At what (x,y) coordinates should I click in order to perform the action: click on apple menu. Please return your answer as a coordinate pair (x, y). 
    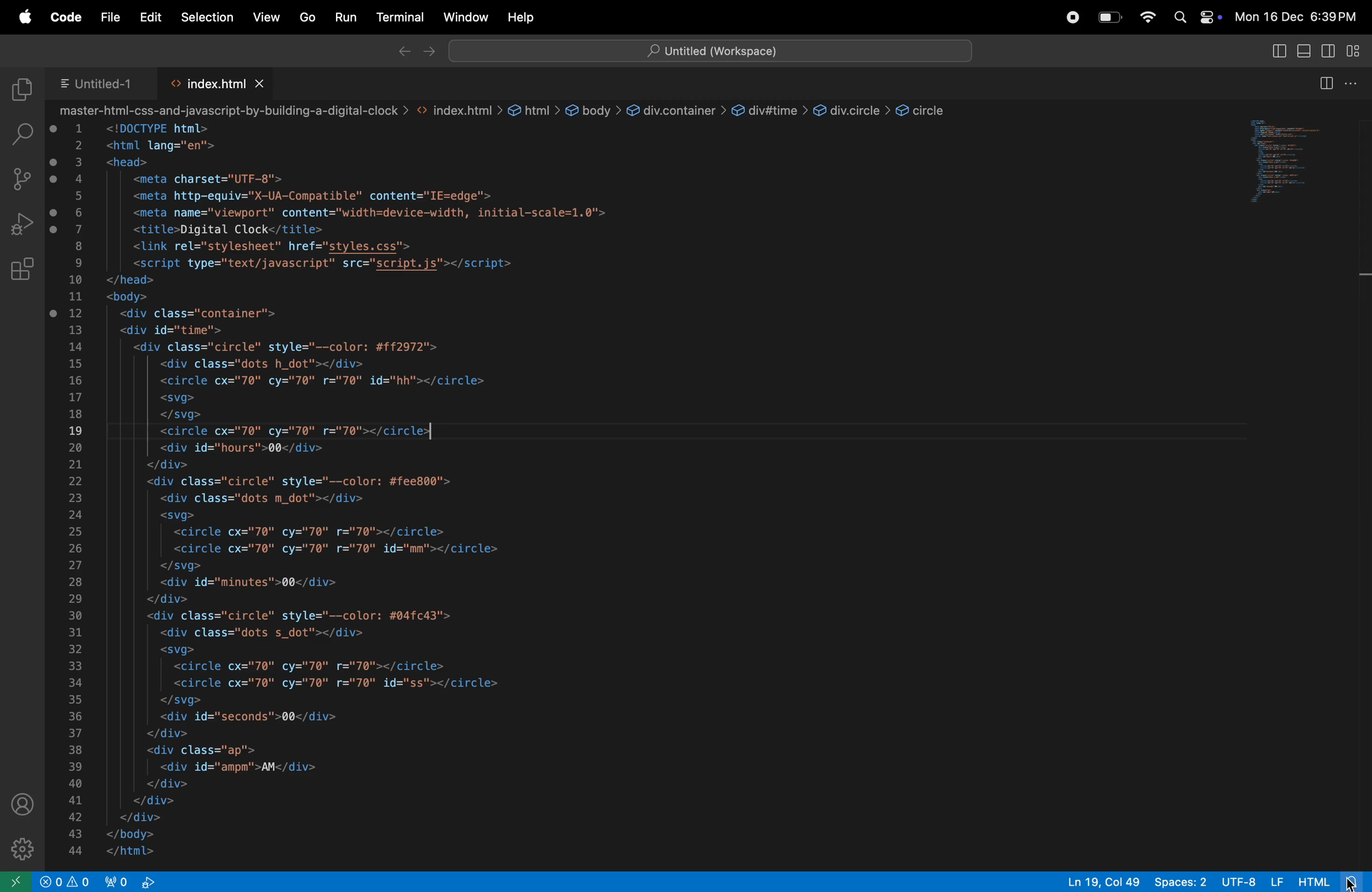
    Looking at the image, I should click on (24, 18).